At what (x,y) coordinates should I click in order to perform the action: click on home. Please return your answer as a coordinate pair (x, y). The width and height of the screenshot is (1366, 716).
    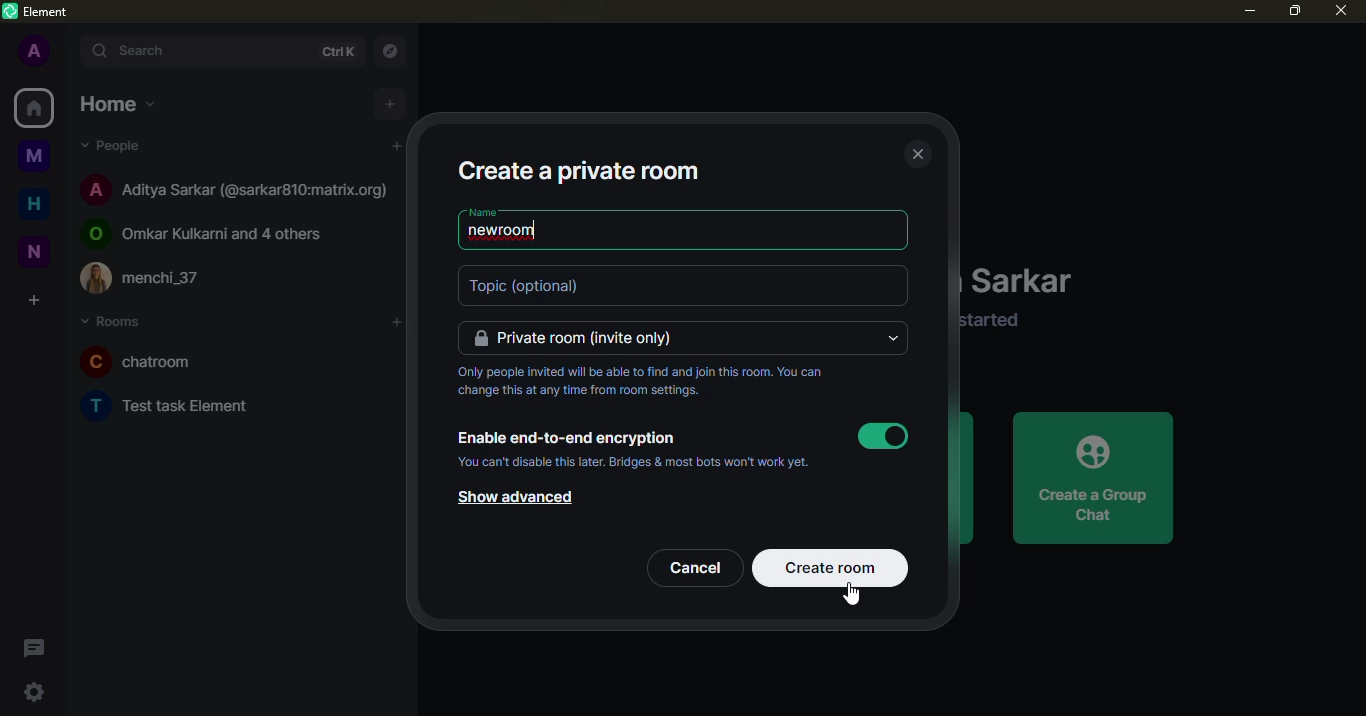
    Looking at the image, I should click on (120, 105).